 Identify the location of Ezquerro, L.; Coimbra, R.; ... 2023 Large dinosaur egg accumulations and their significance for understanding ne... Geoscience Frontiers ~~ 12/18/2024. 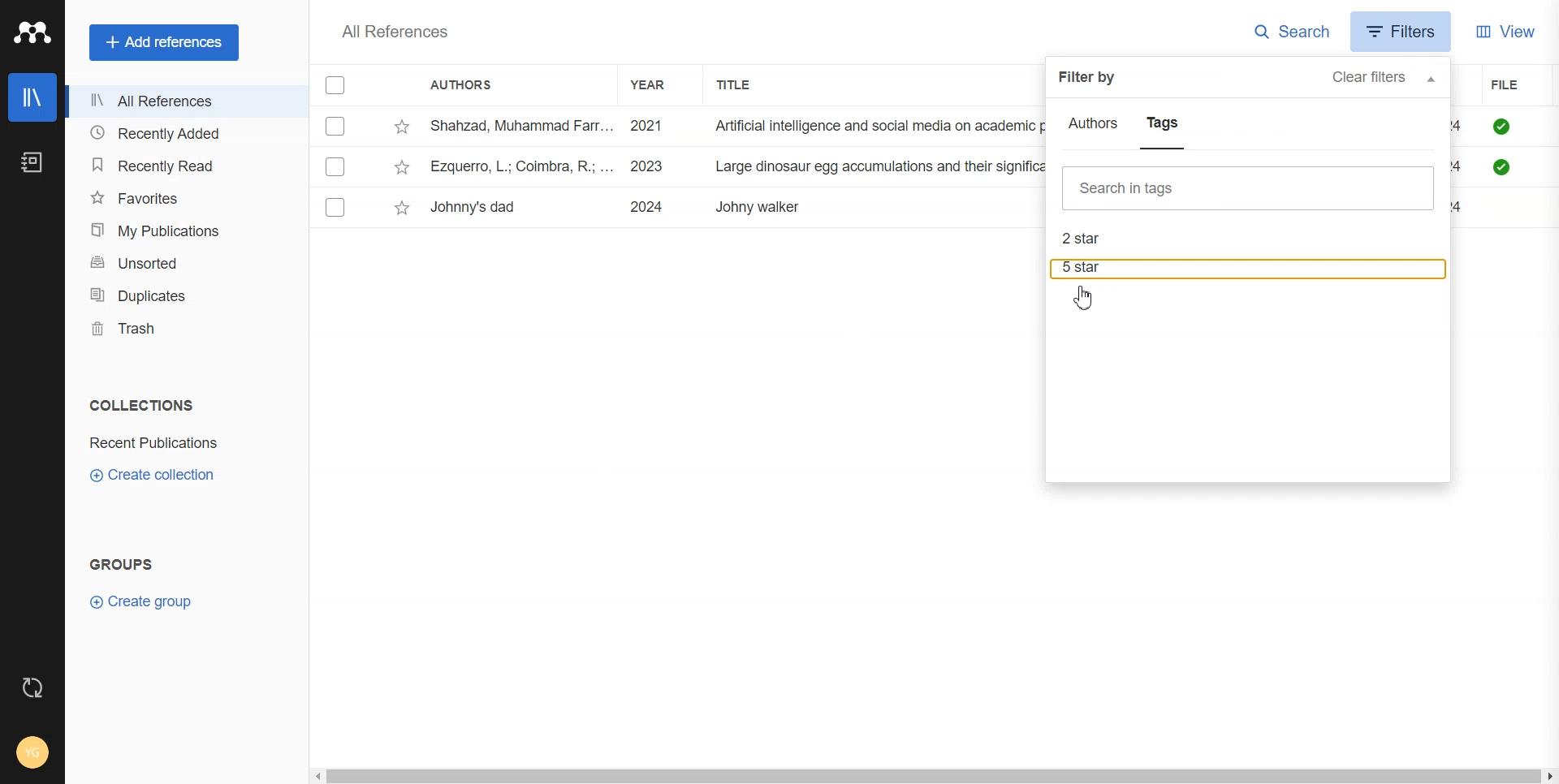
(736, 166).